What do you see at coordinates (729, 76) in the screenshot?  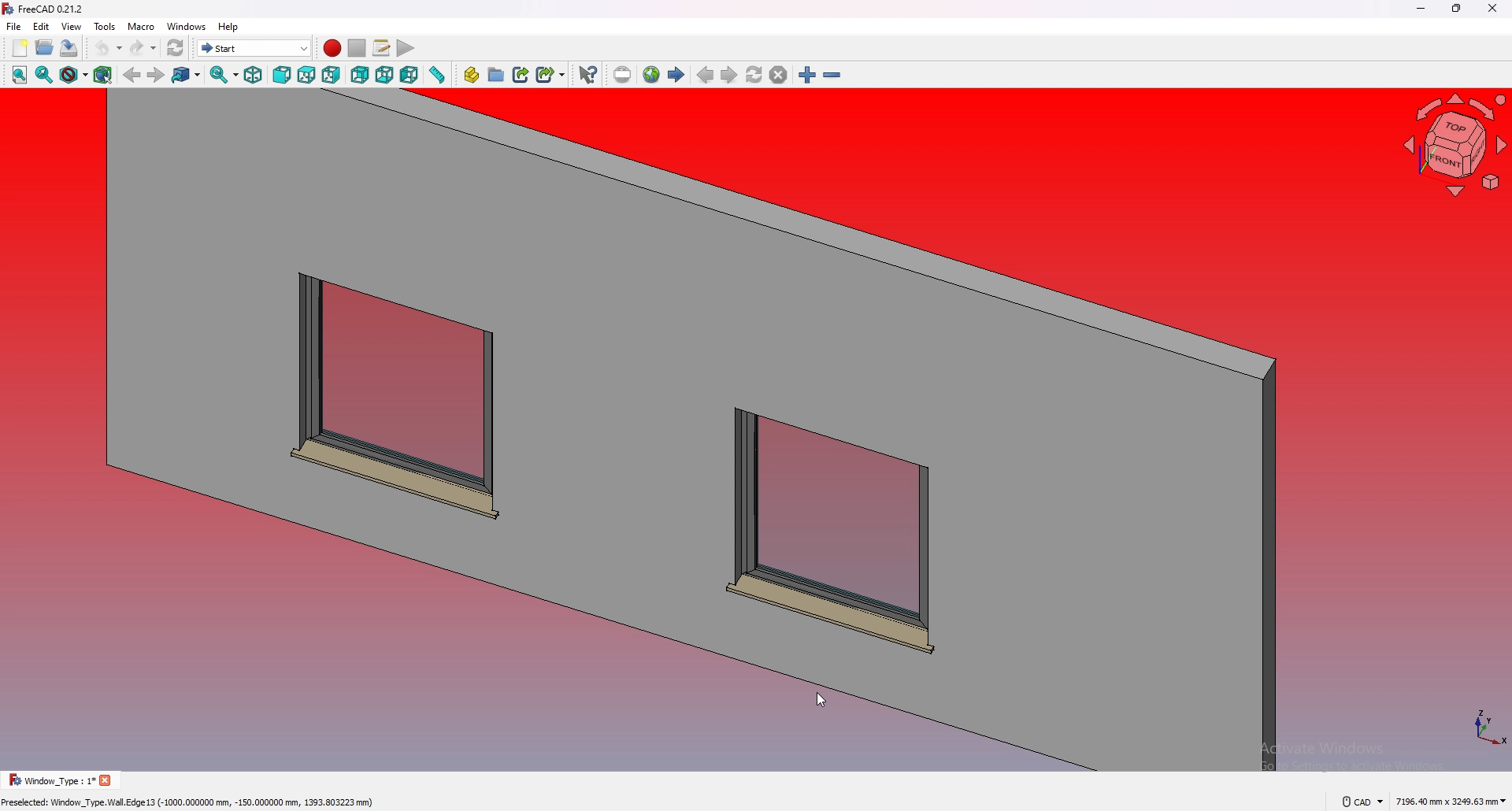 I see `next page` at bounding box center [729, 76].